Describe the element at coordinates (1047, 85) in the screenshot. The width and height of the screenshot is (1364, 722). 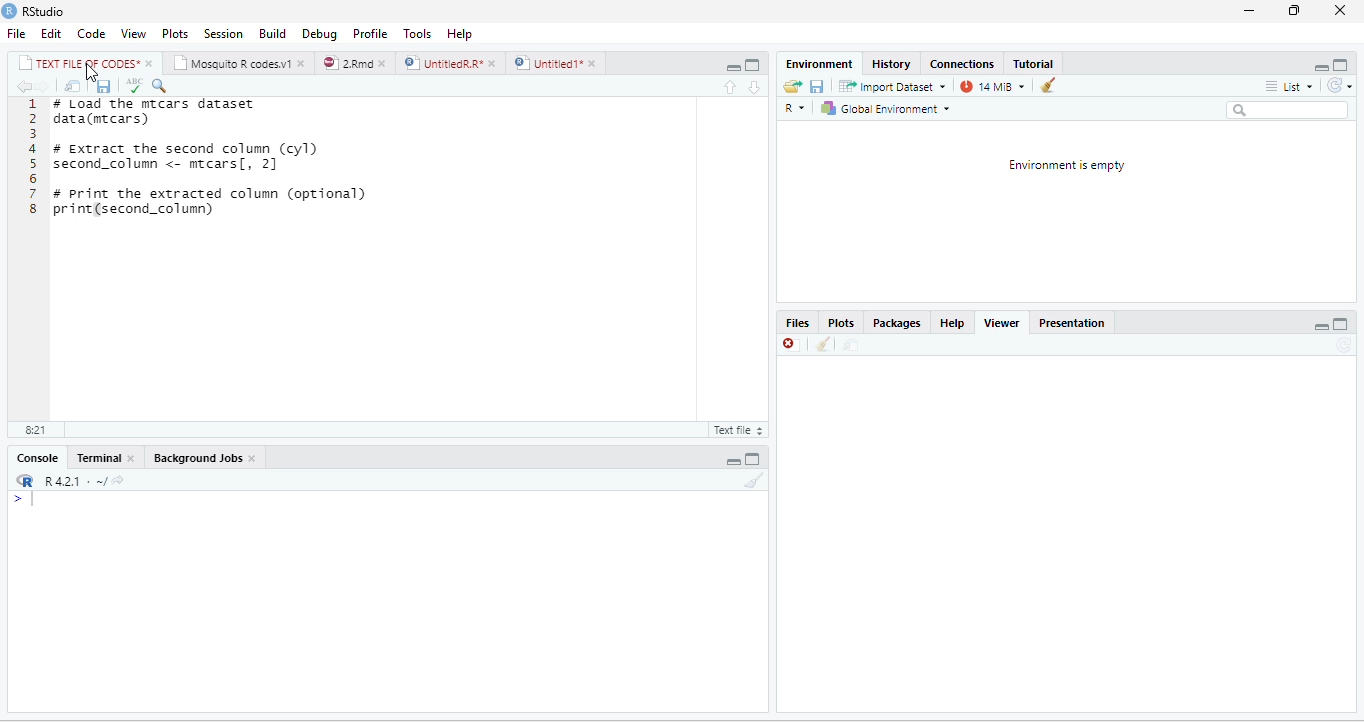
I see `clear` at that location.